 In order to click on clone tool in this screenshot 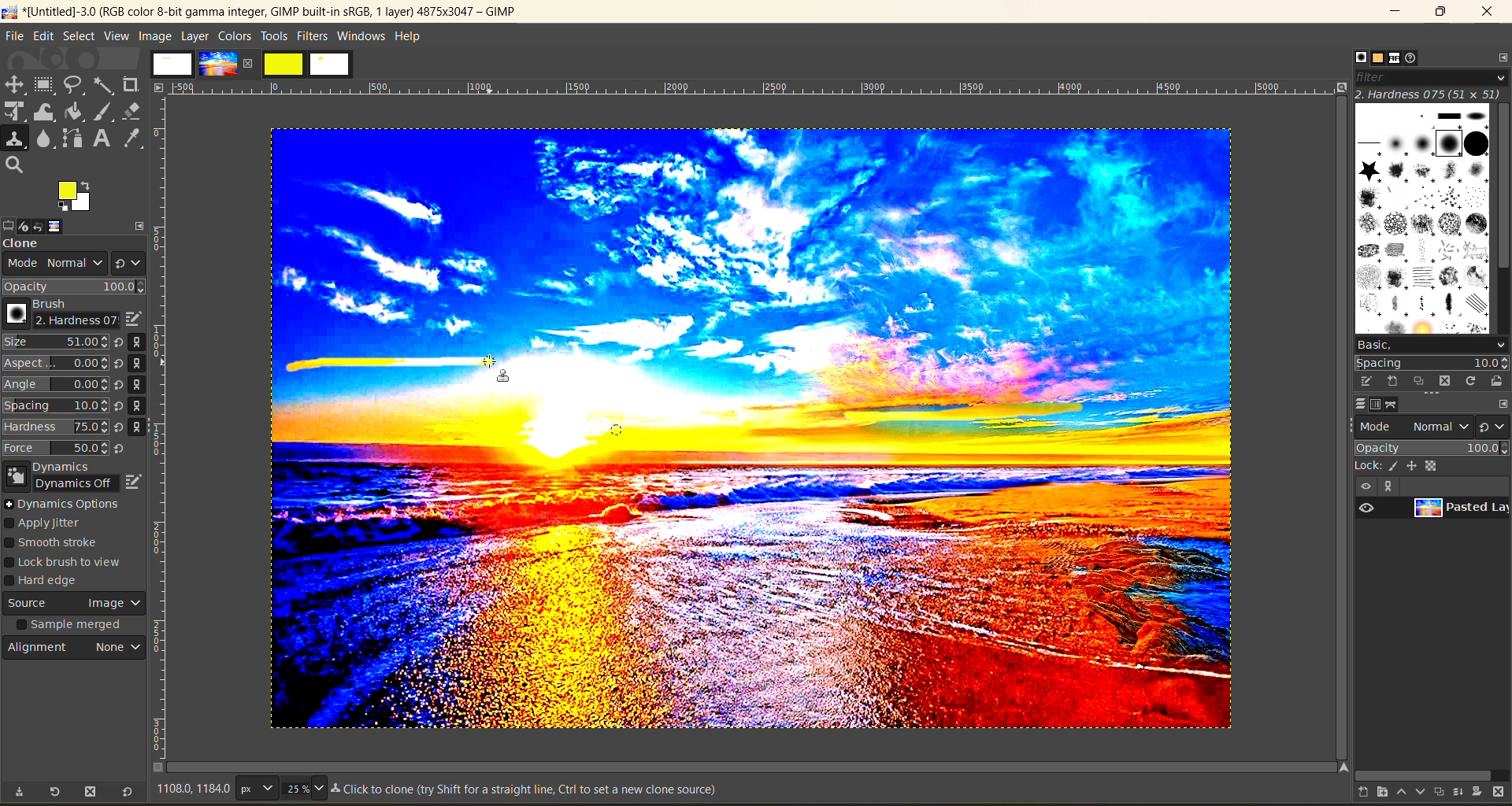, I will do `click(15, 139)`.